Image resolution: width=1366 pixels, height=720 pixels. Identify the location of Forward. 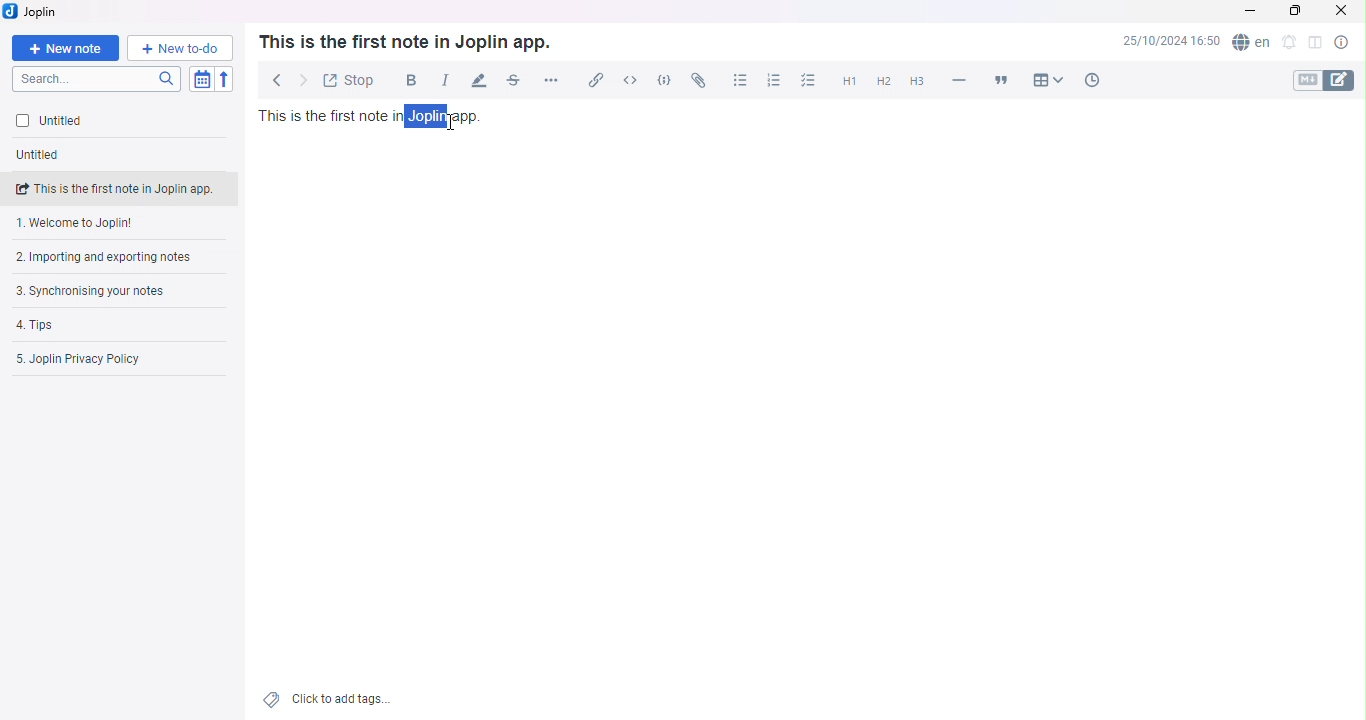
(301, 80).